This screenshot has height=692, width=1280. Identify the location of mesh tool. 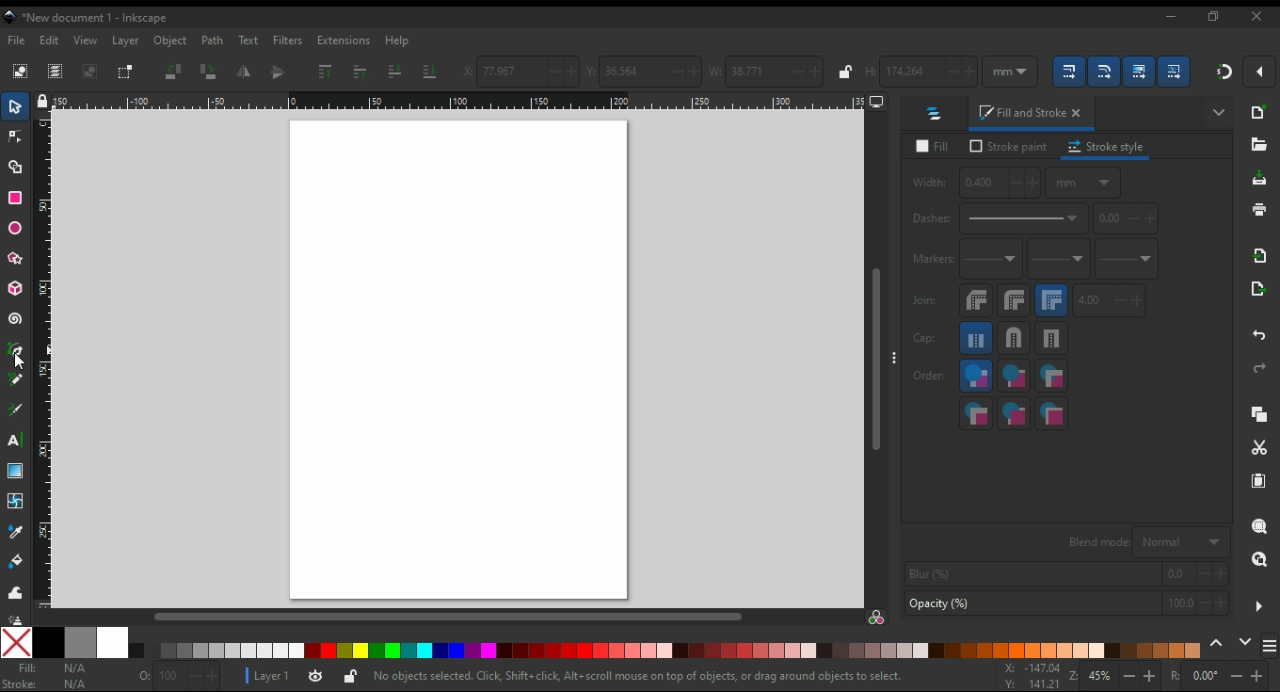
(14, 501).